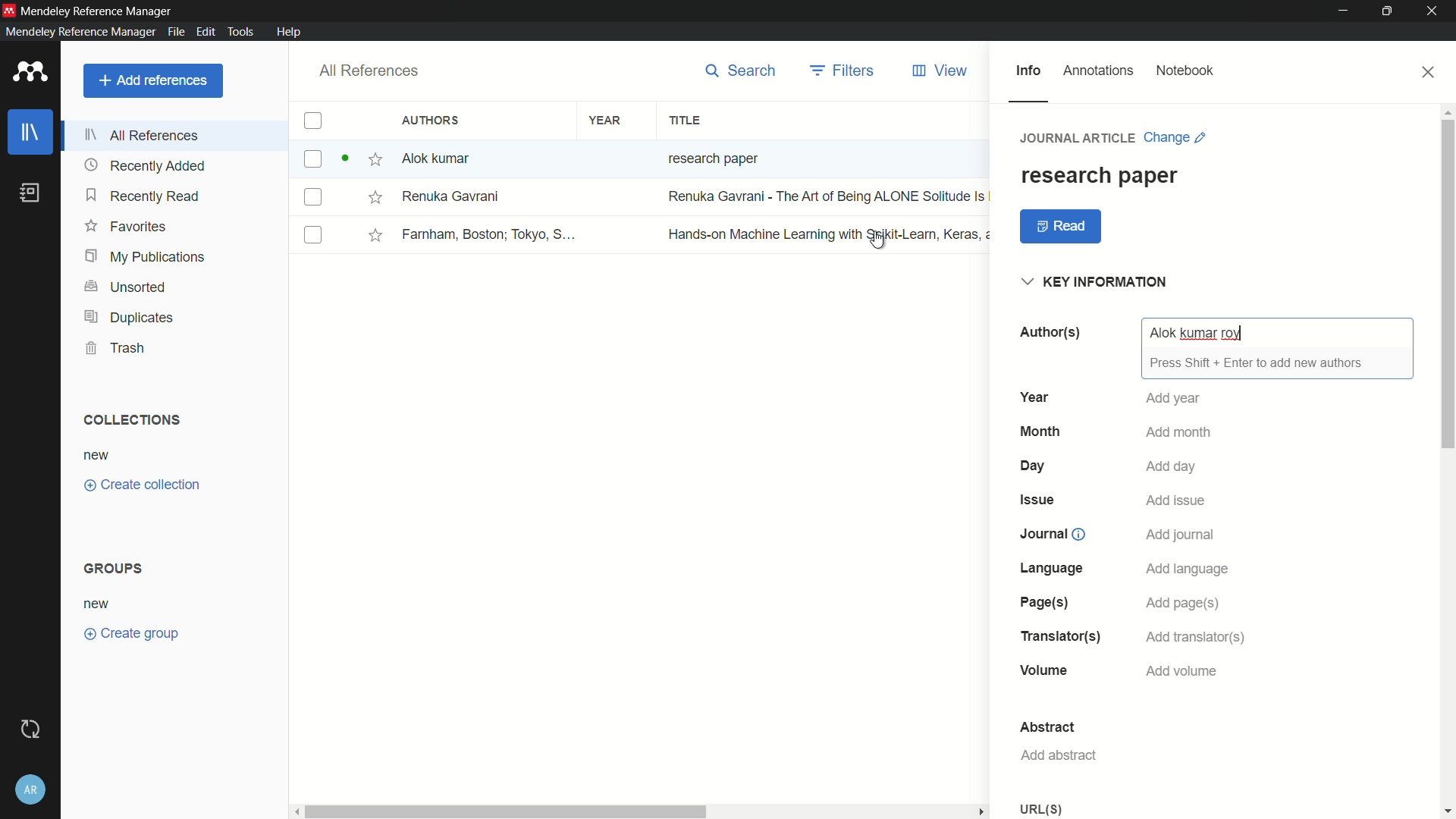 The image size is (1456, 819). What do you see at coordinates (1062, 227) in the screenshot?
I see `read` at bounding box center [1062, 227].